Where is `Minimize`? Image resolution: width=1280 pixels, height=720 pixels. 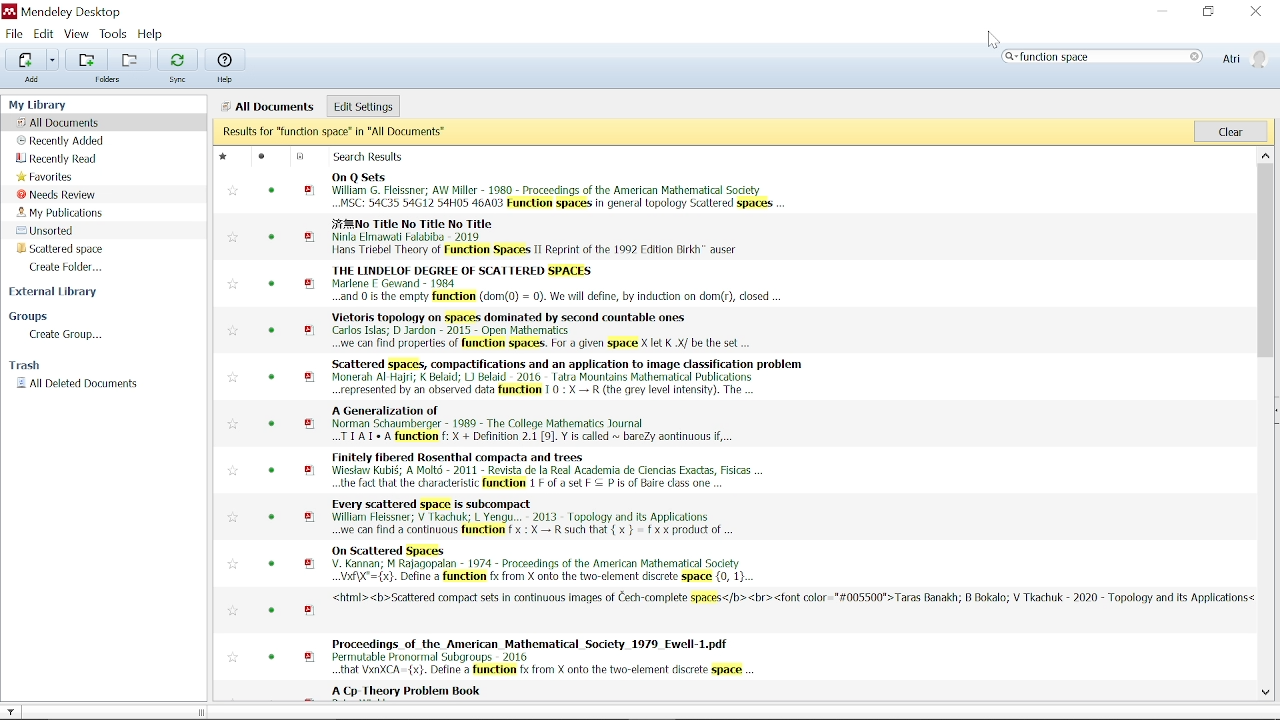 Minimize is located at coordinates (1158, 10).